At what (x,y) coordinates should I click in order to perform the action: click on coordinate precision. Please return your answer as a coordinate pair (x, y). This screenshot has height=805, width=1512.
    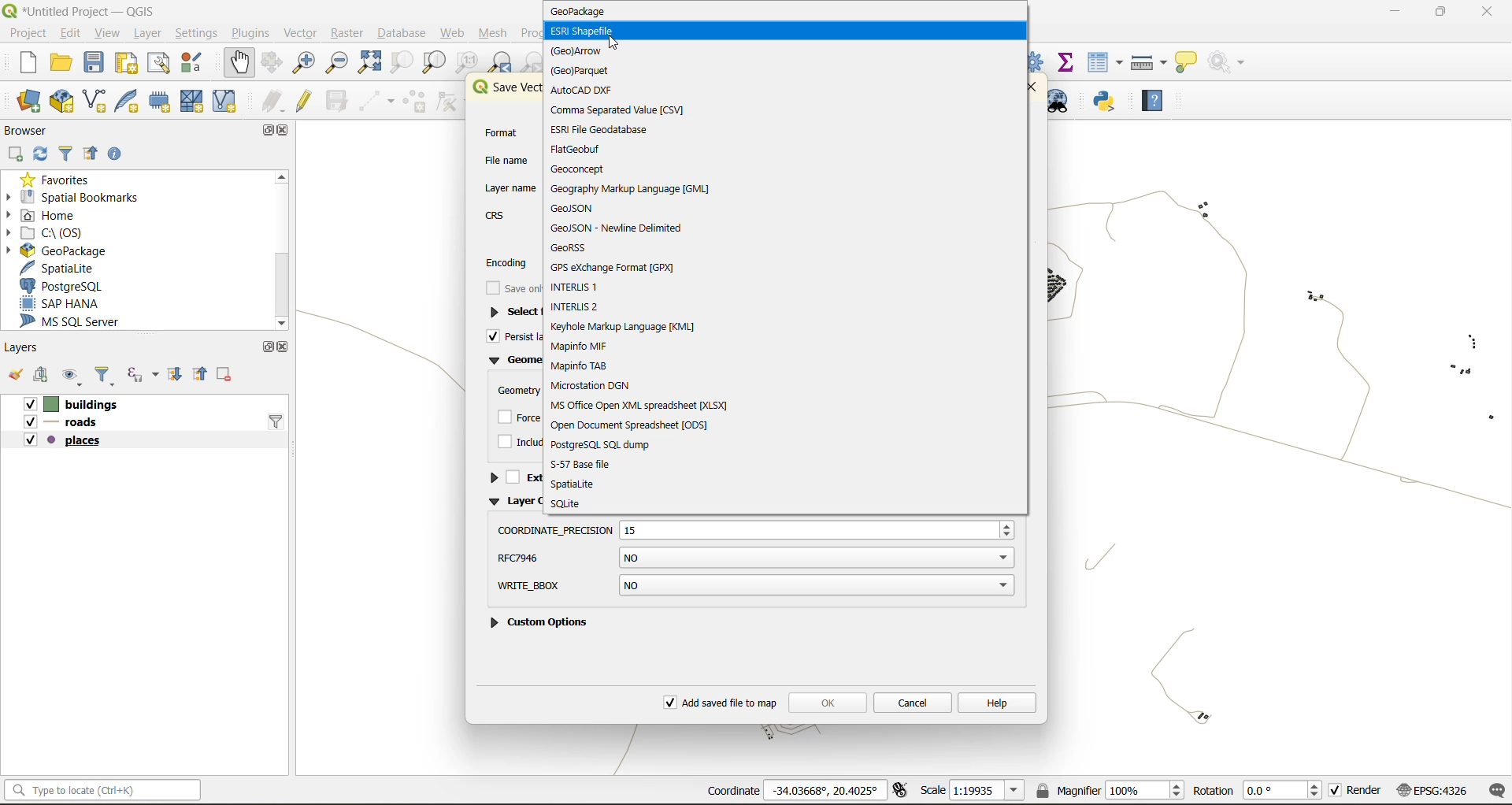
    Looking at the image, I should click on (754, 531).